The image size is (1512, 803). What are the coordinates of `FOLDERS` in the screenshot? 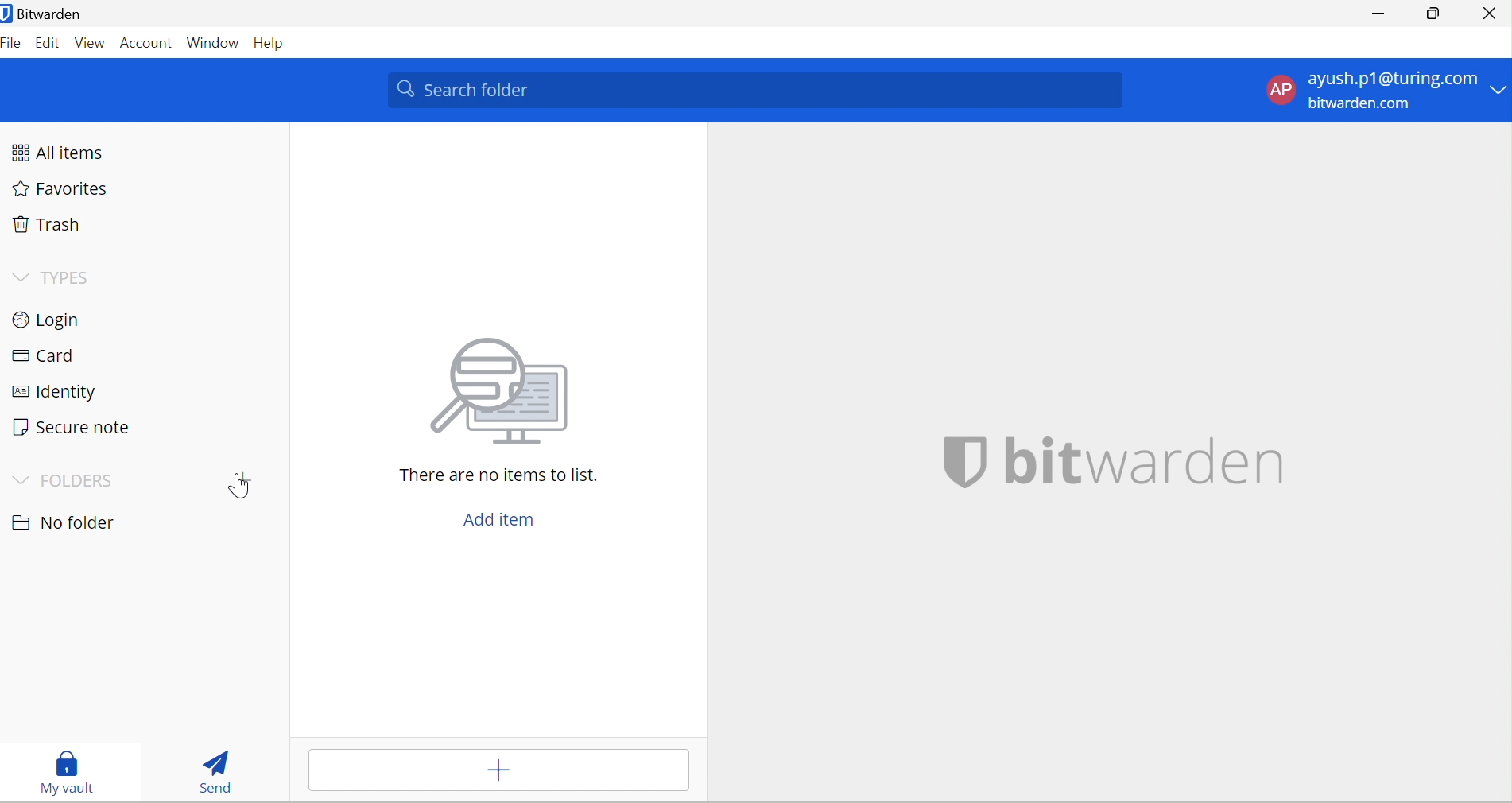 It's located at (79, 479).